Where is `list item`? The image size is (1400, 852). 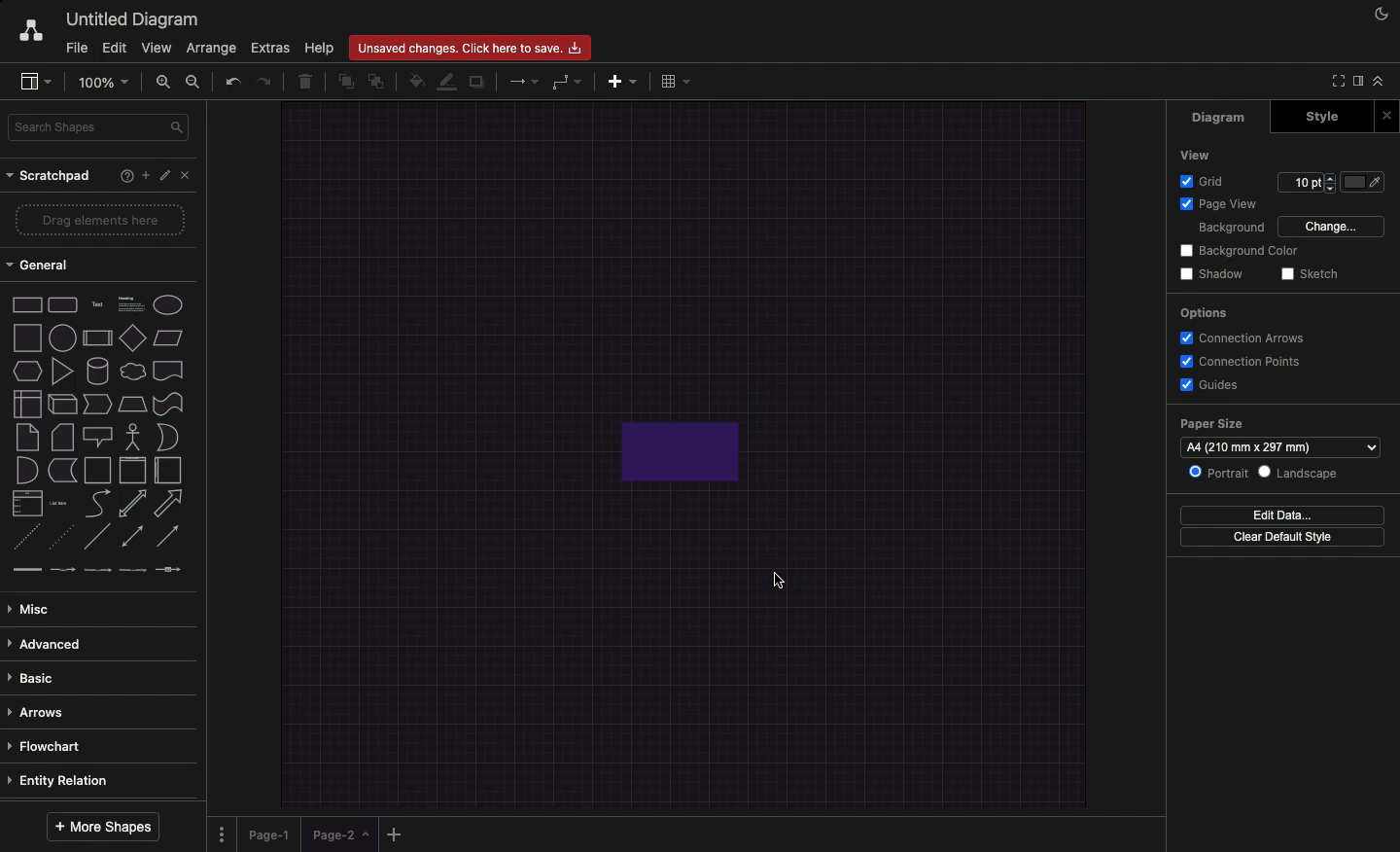
list item is located at coordinates (60, 502).